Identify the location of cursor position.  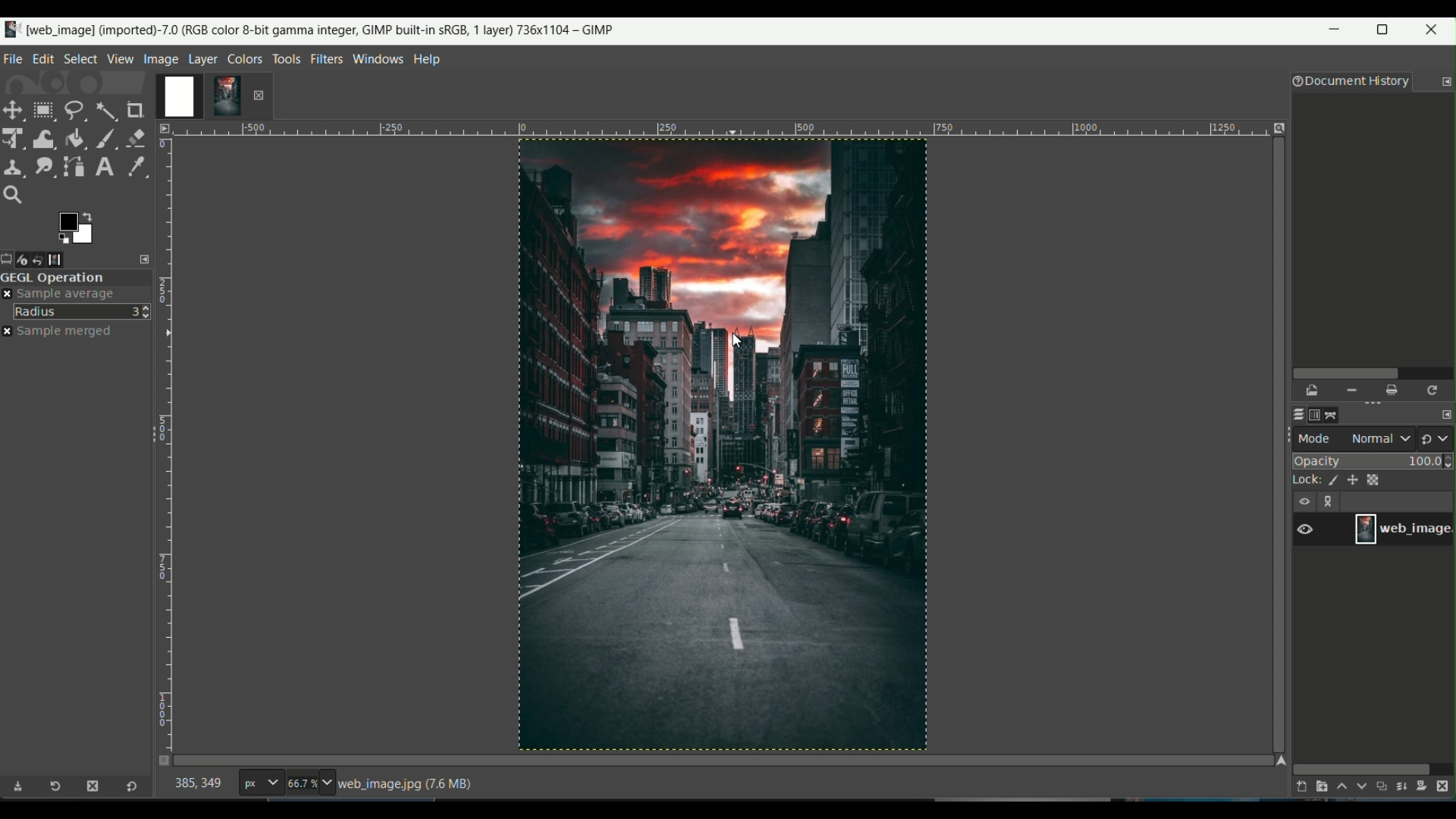
(199, 786).